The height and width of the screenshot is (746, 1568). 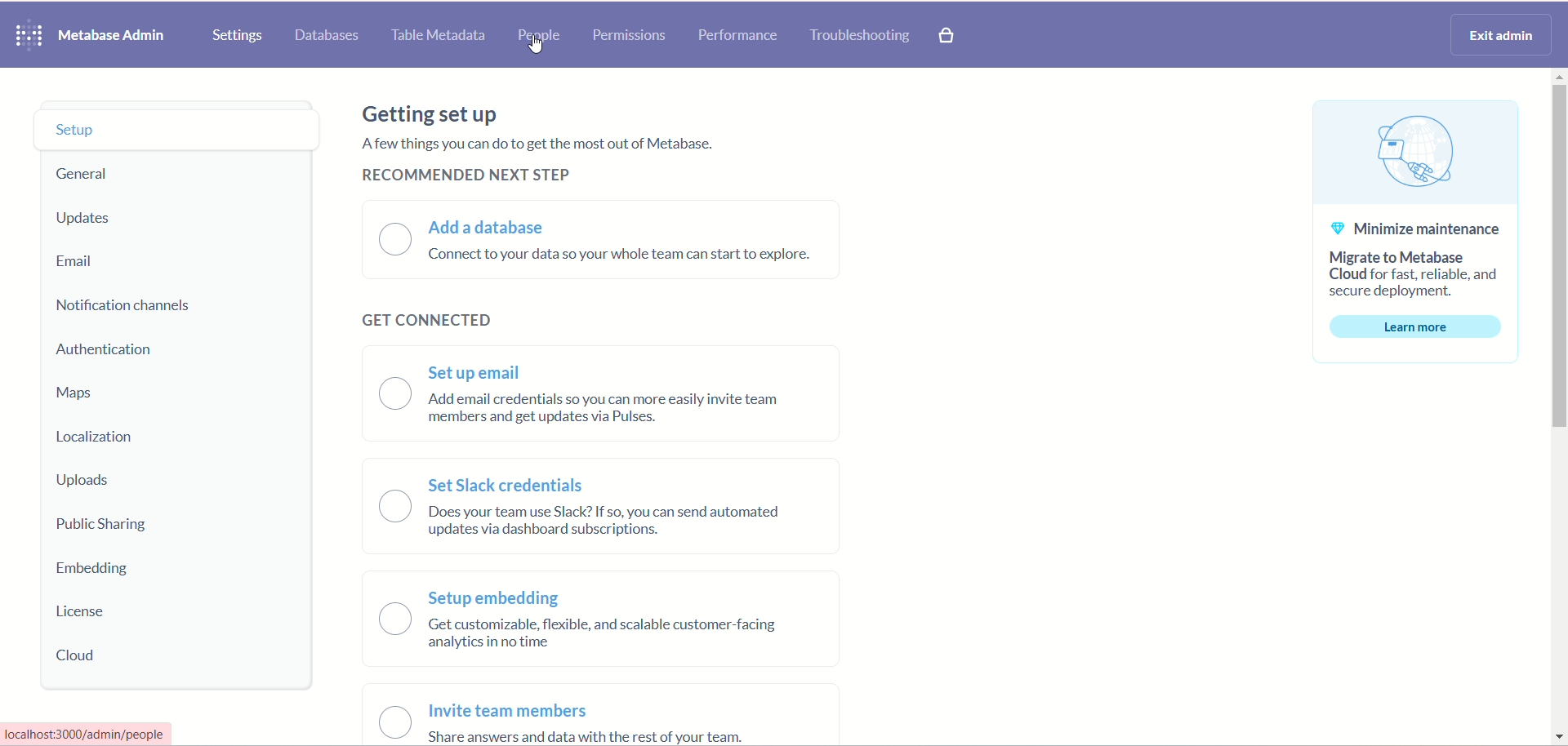 I want to click on public sharing, so click(x=104, y=527).